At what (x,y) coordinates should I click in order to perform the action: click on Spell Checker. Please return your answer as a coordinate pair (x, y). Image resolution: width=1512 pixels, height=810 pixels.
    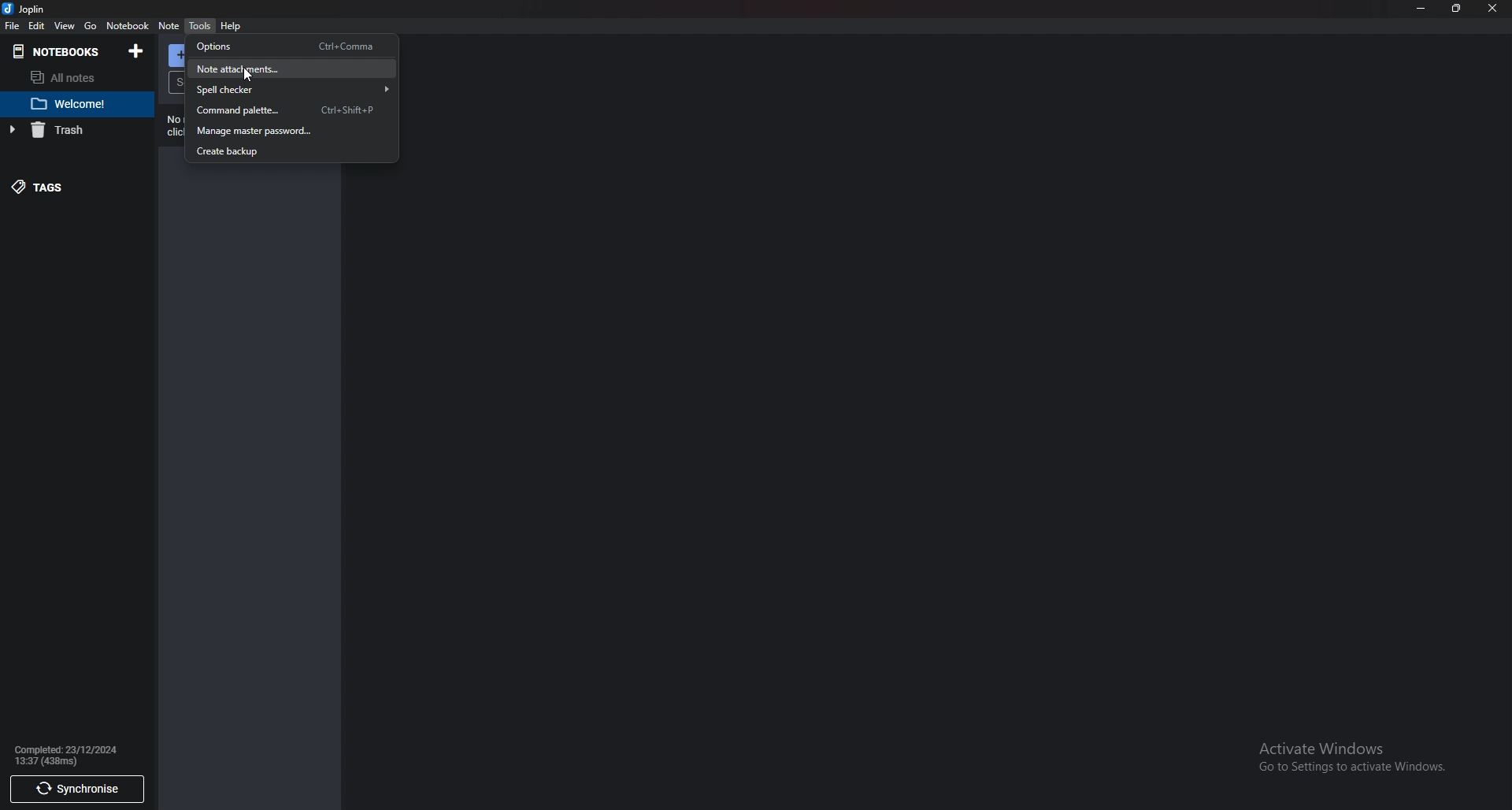
    Looking at the image, I should click on (294, 88).